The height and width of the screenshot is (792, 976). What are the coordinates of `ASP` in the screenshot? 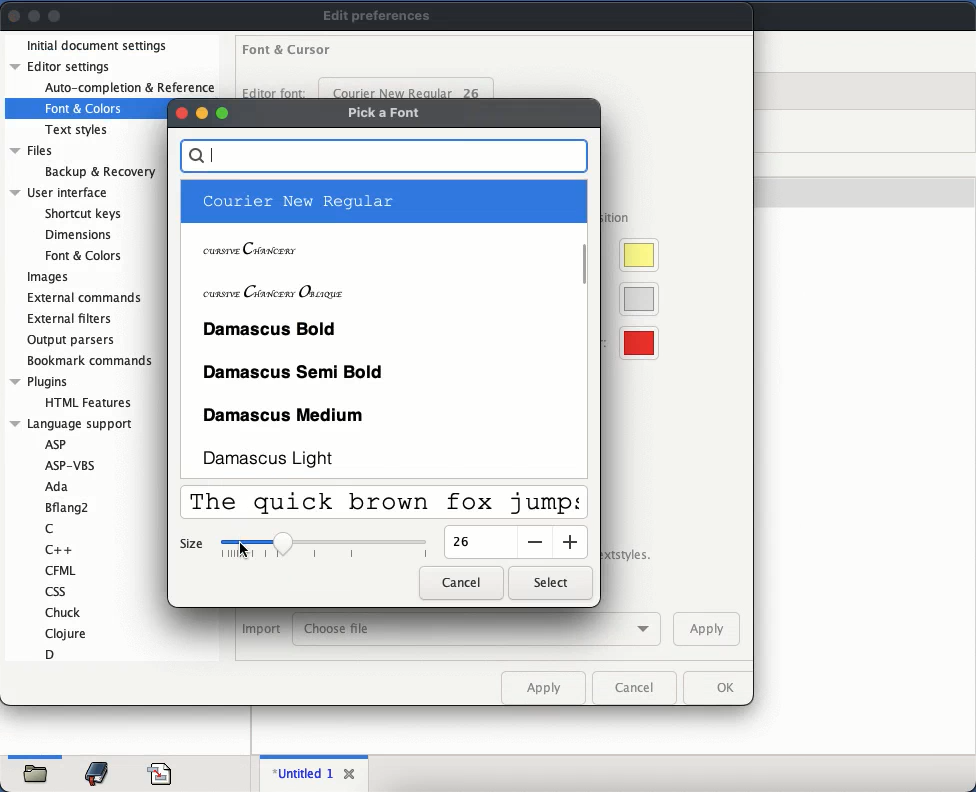 It's located at (58, 444).